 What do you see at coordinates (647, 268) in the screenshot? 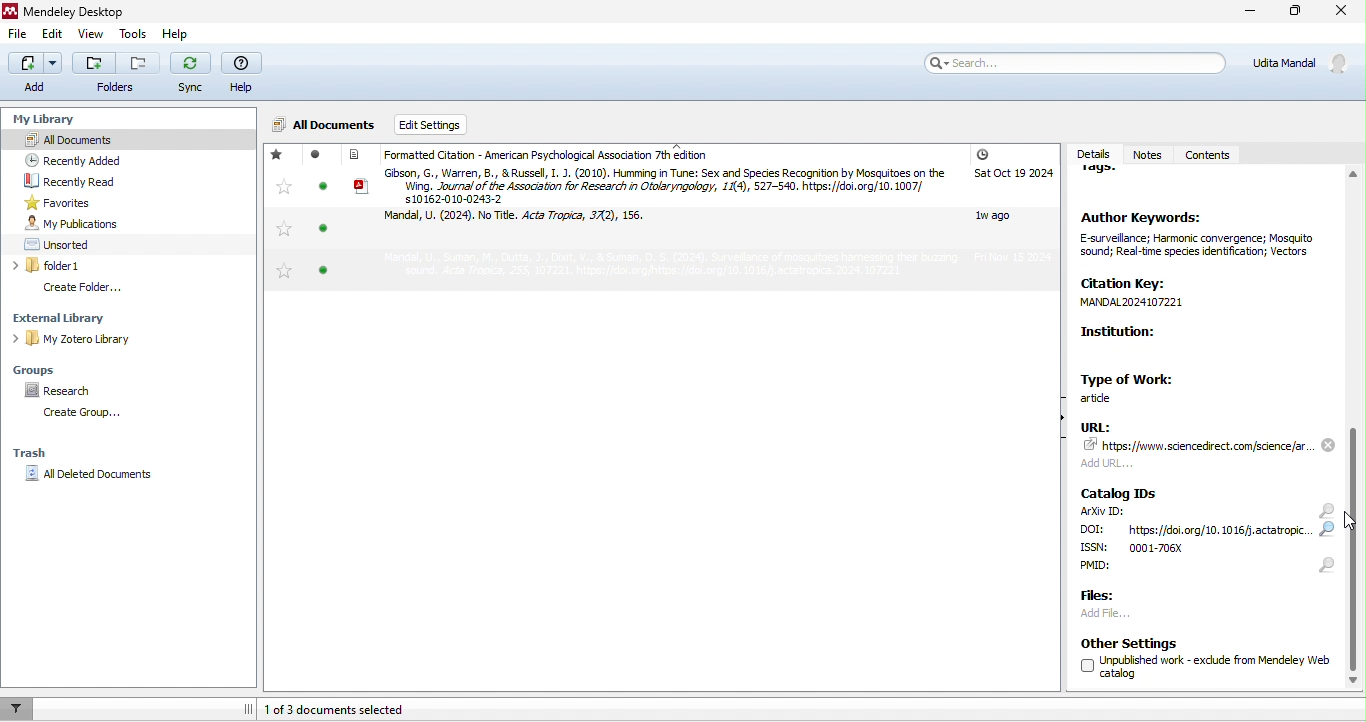
I see `article by Mandal et al, 2024` at bounding box center [647, 268].